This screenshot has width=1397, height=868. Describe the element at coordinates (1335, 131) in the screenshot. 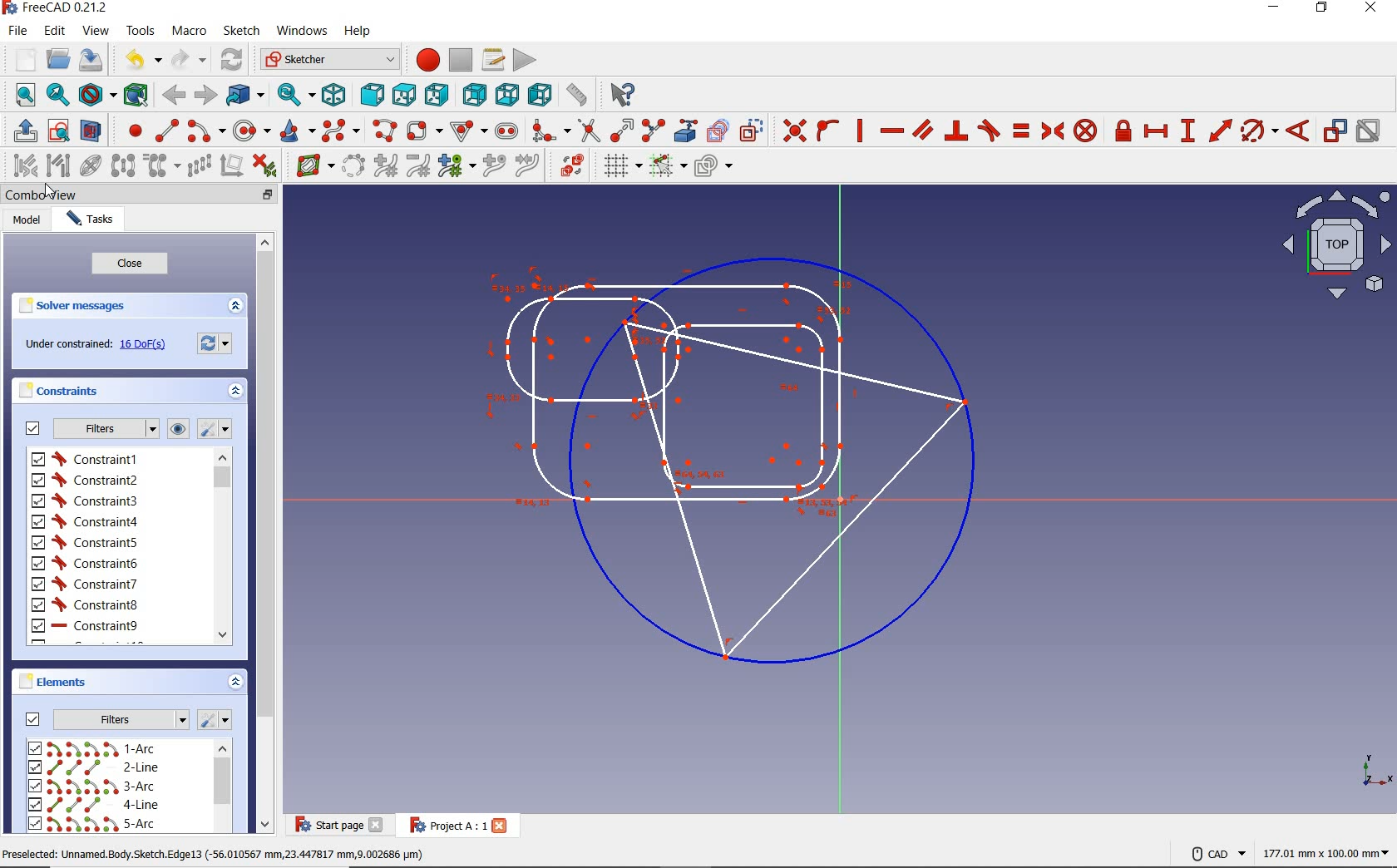

I see `toggle driving` at that location.